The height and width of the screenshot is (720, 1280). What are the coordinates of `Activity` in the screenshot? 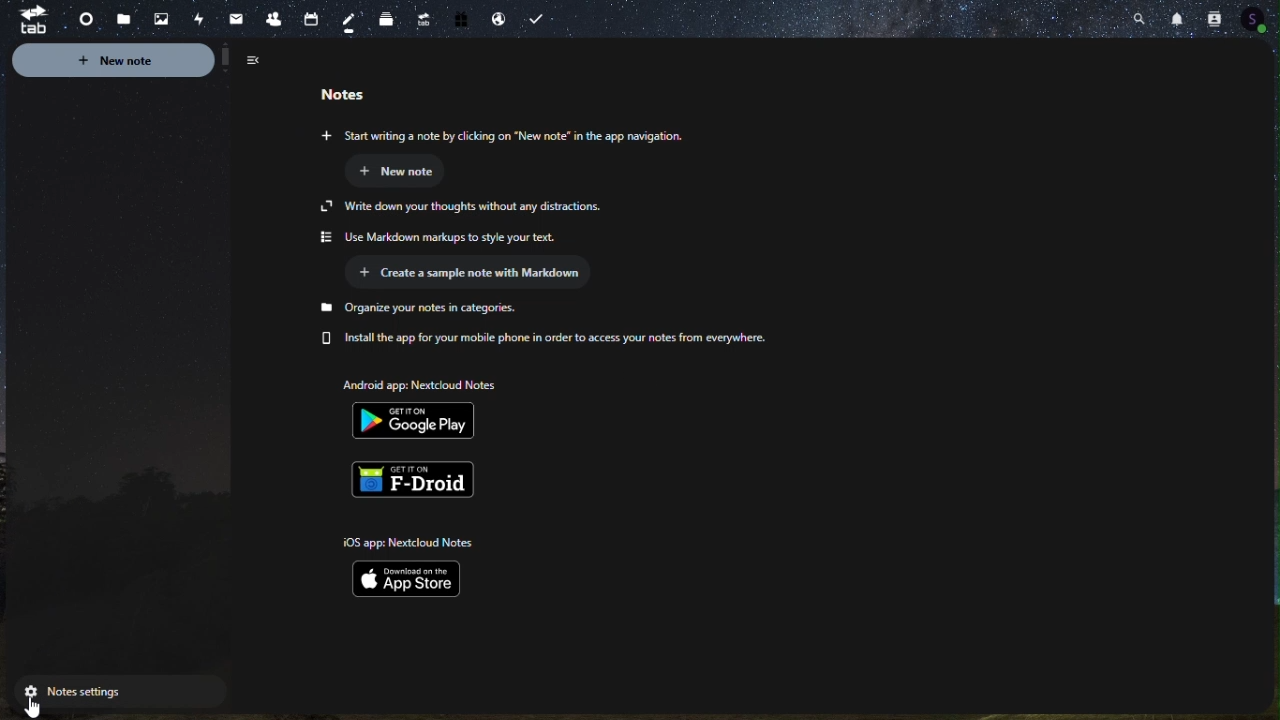 It's located at (192, 18).